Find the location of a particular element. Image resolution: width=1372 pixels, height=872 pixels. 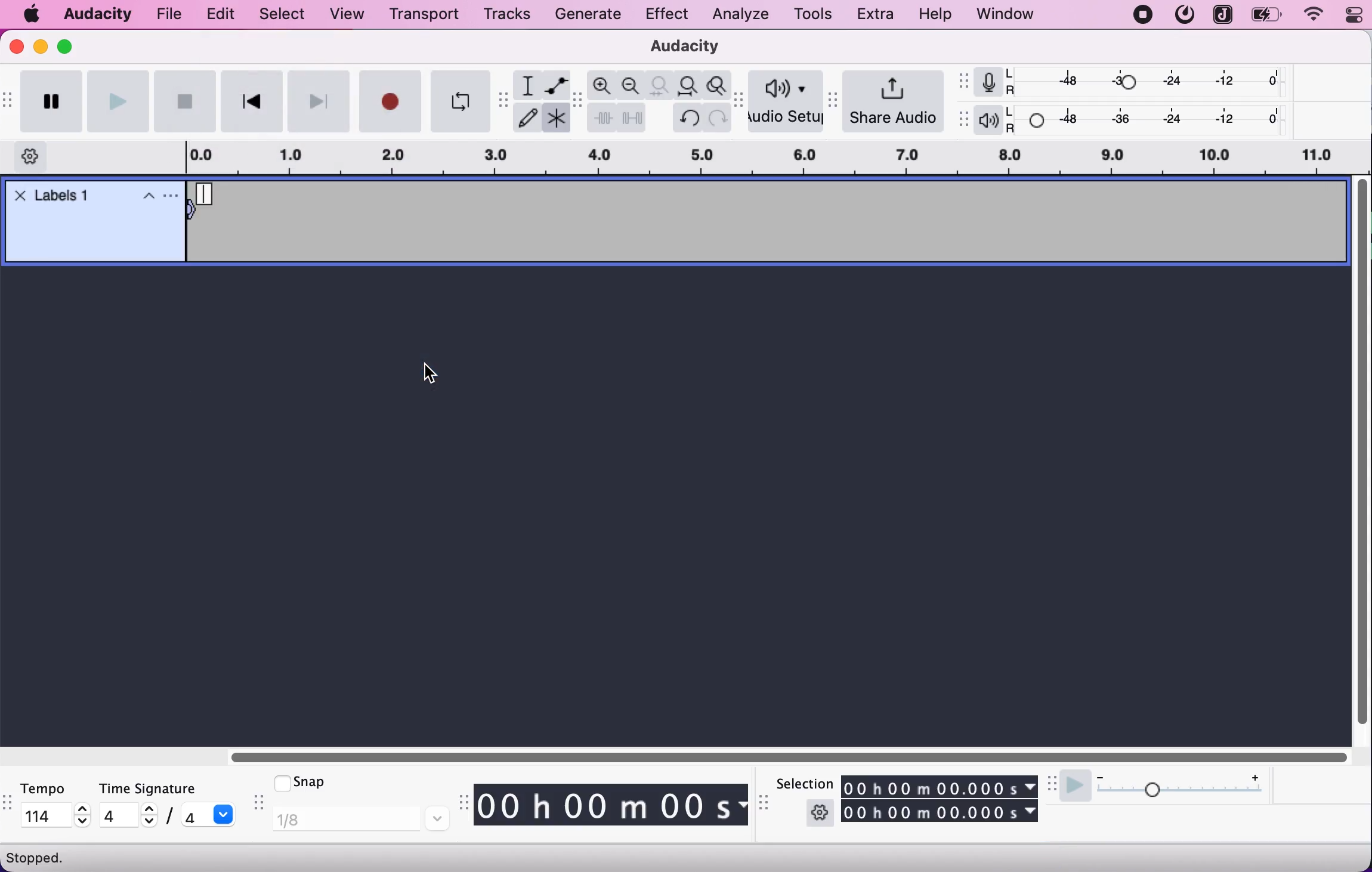

panel control is located at coordinates (1348, 16).